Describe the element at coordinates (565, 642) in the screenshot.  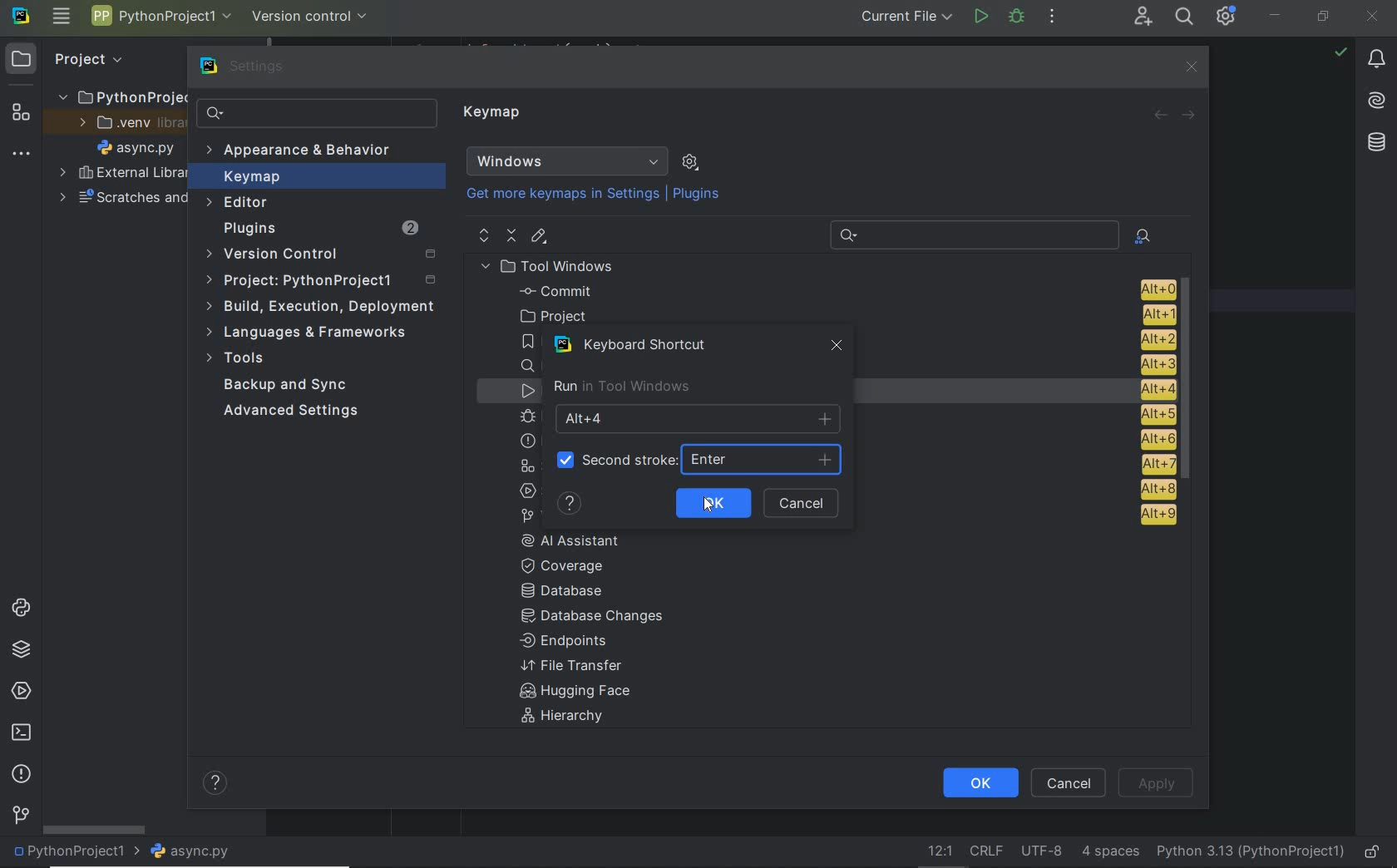
I see `Endpoints` at that location.